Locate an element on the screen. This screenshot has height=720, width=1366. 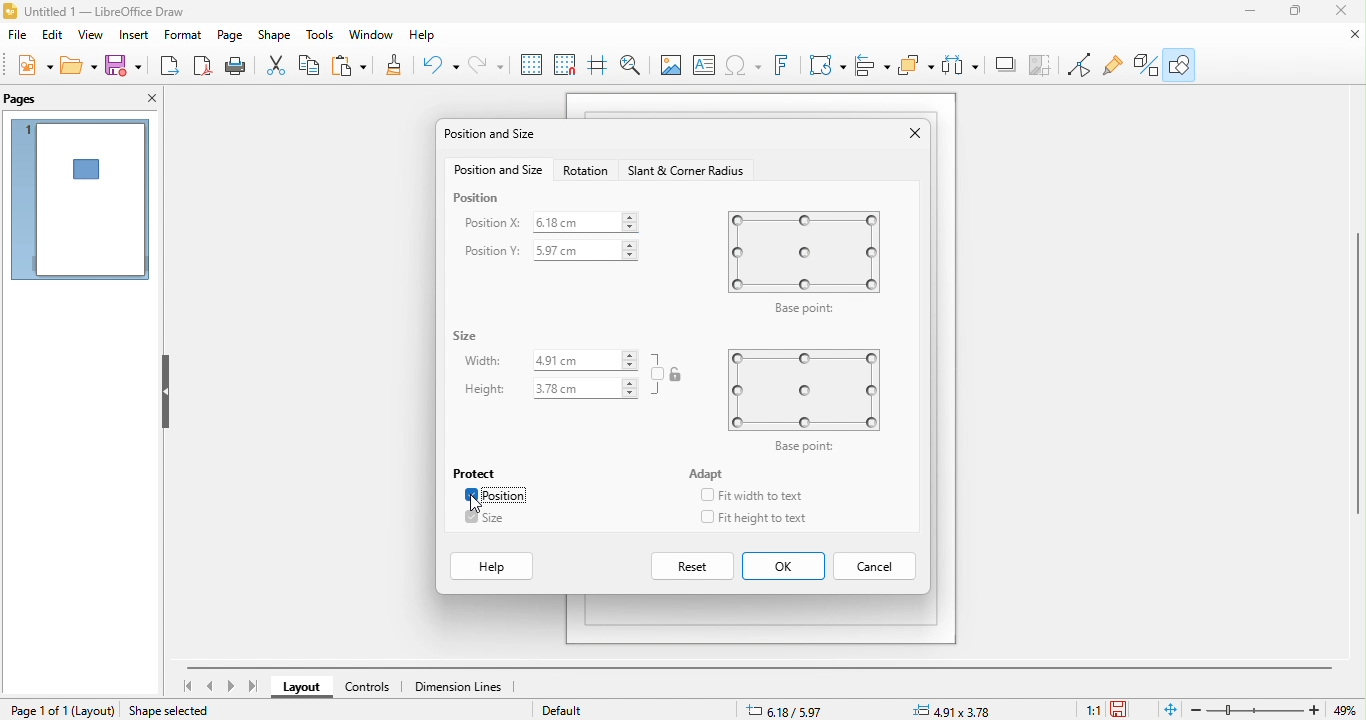
position y is located at coordinates (495, 252).